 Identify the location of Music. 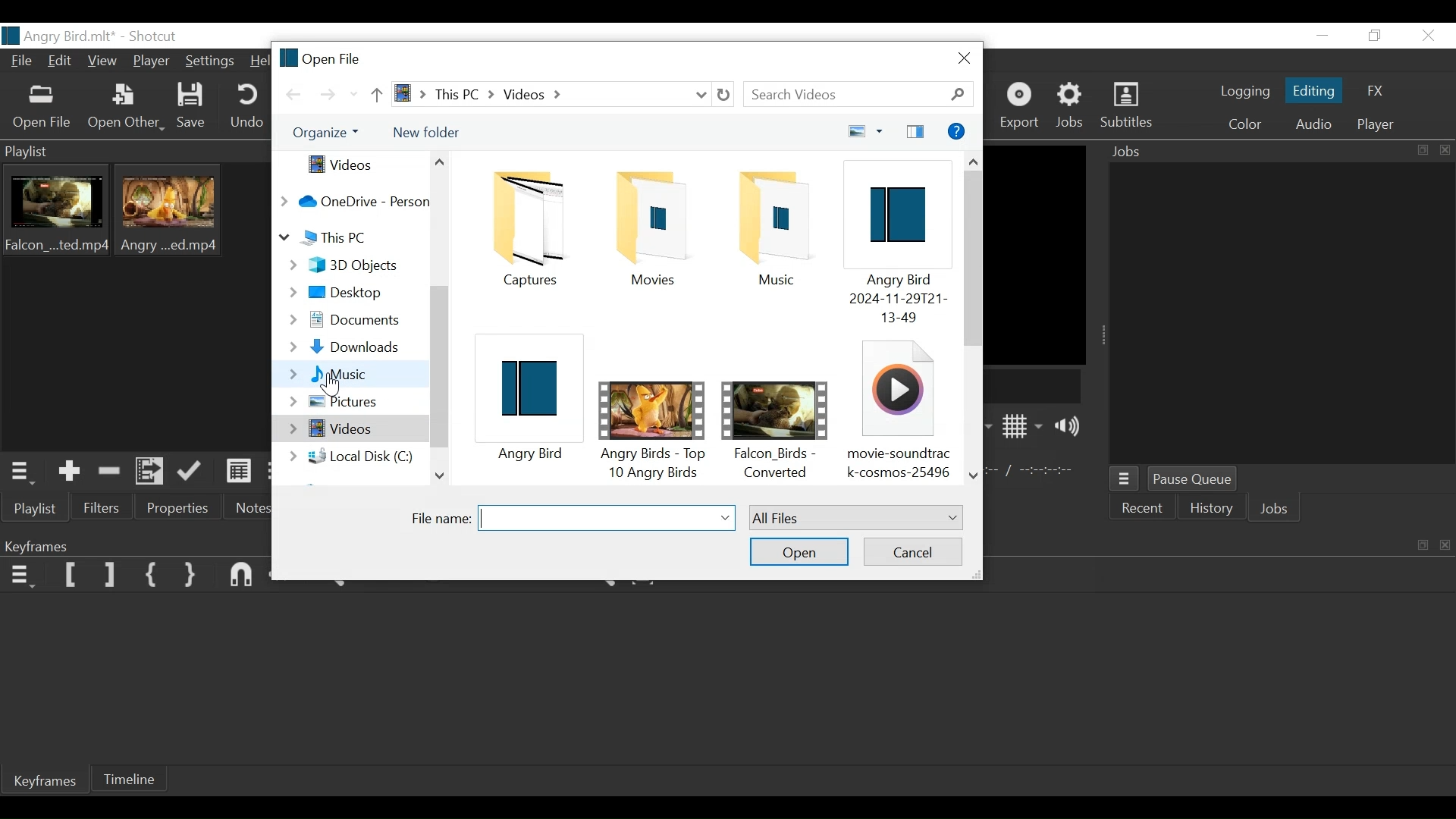
(348, 374).